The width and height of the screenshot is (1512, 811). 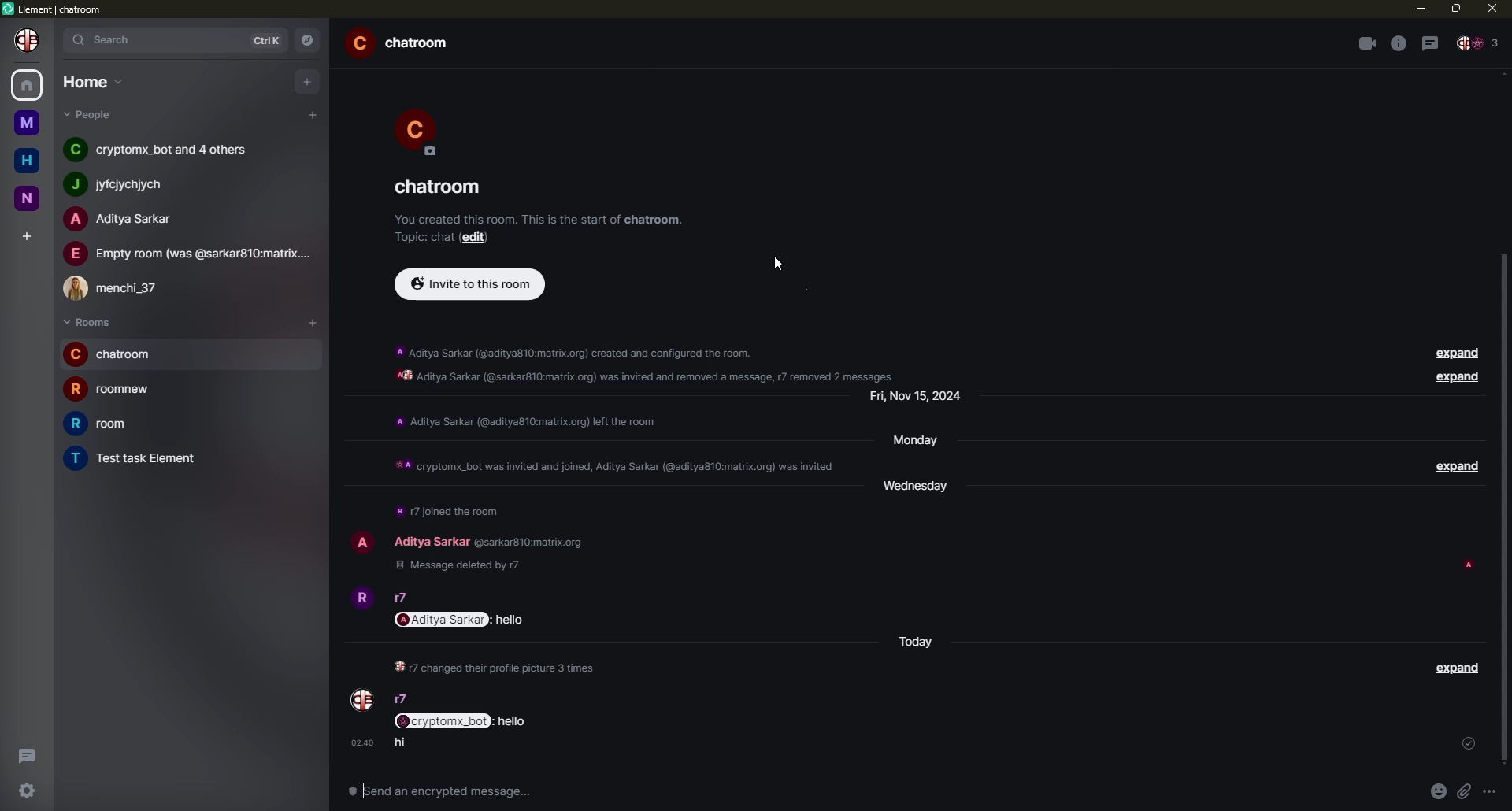 I want to click on options, so click(x=1497, y=791).